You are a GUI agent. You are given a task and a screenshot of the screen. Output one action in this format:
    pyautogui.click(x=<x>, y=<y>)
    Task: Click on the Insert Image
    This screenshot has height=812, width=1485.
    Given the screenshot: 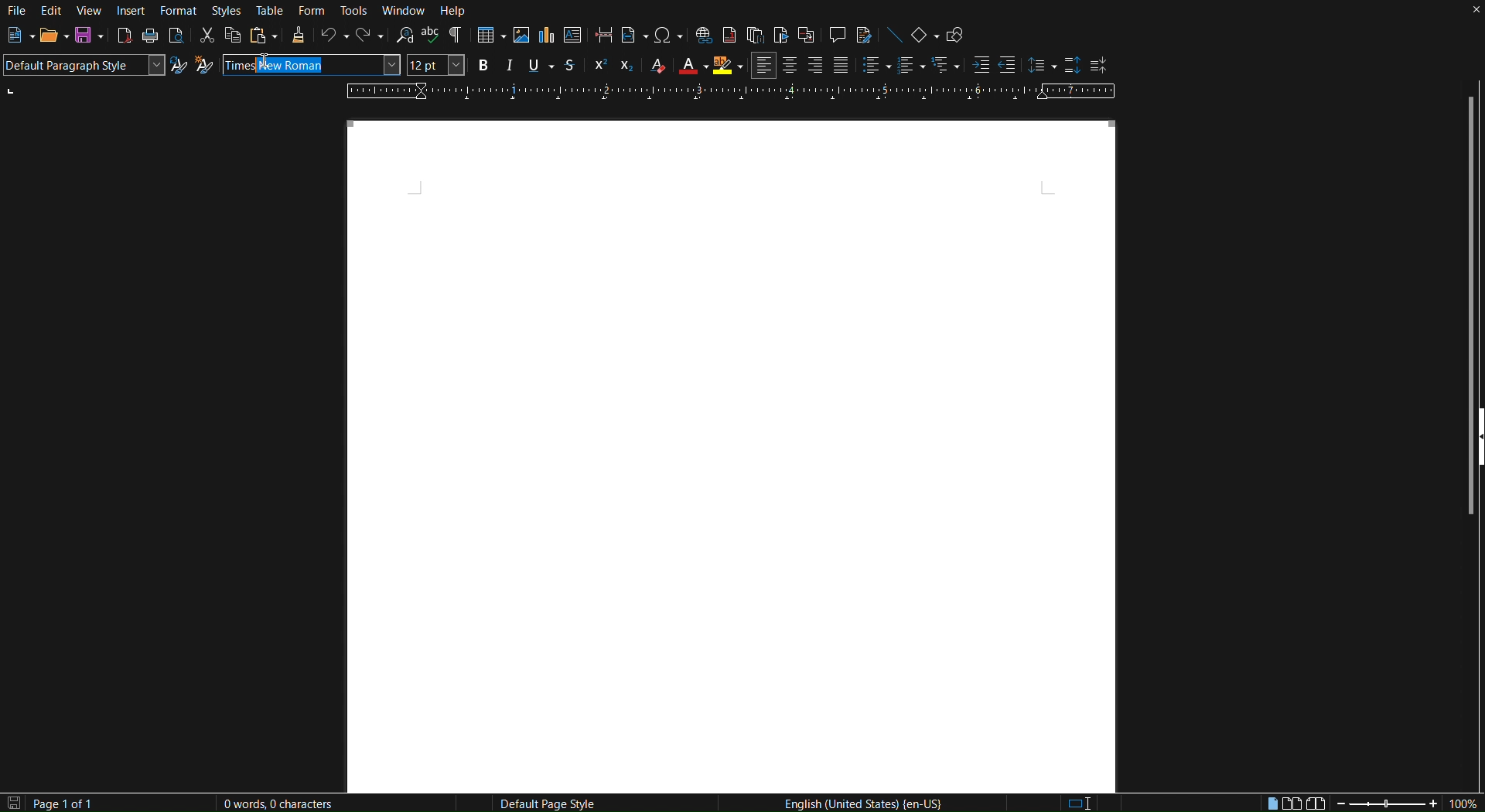 What is the action you would take?
    pyautogui.click(x=521, y=36)
    